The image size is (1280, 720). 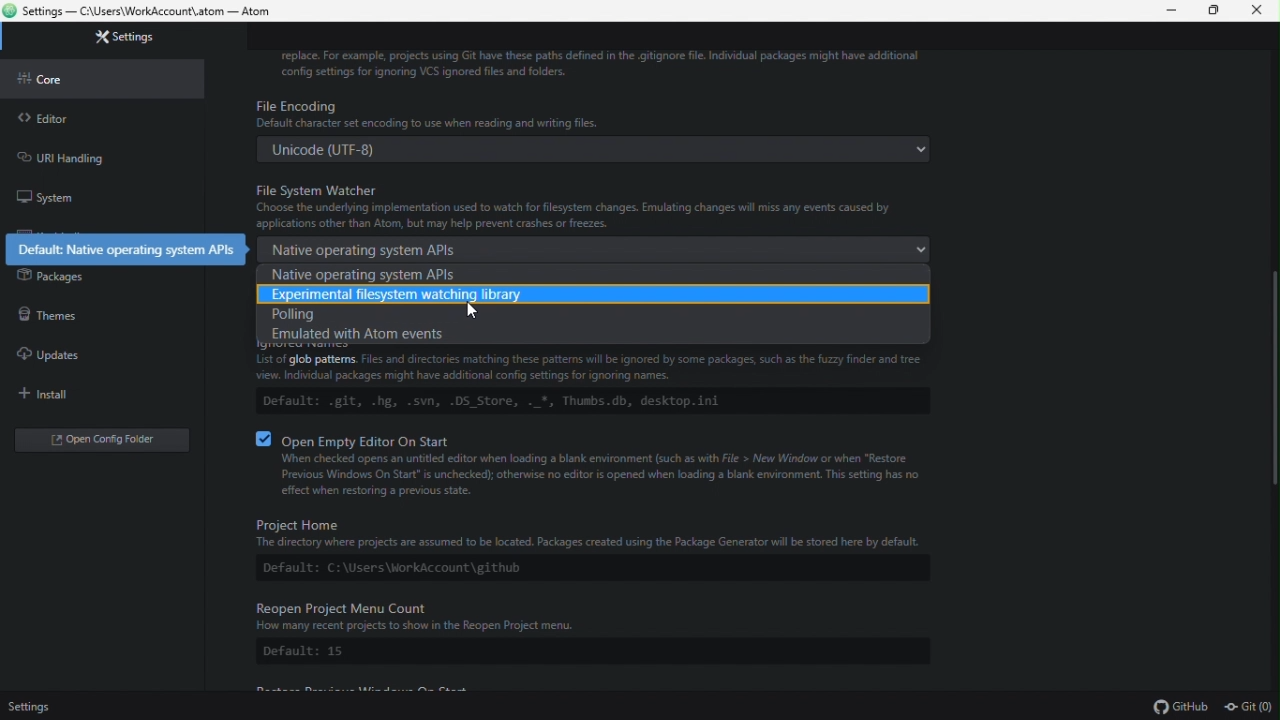 I want to click on ReOpen project menu count, so click(x=589, y=633).